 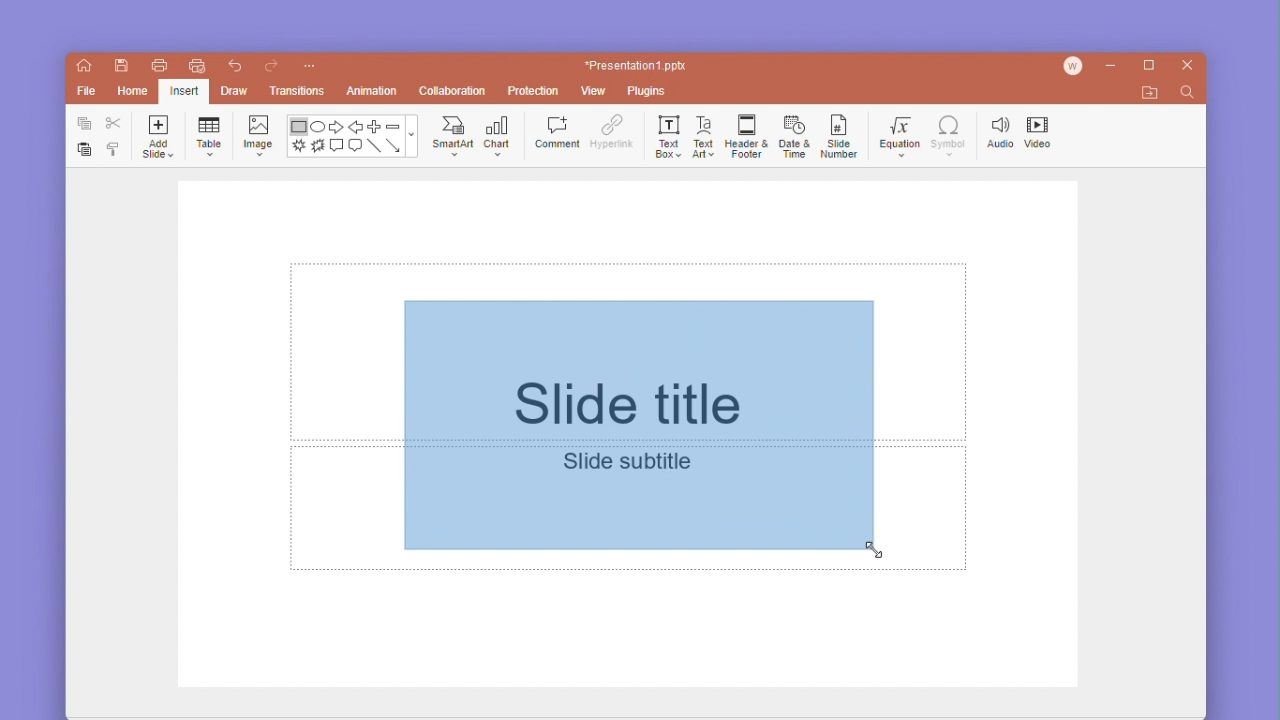 What do you see at coordinates (311, 64) in the screenshot?
I see `customize quick access toolbar` at bounding box center [311, 64].